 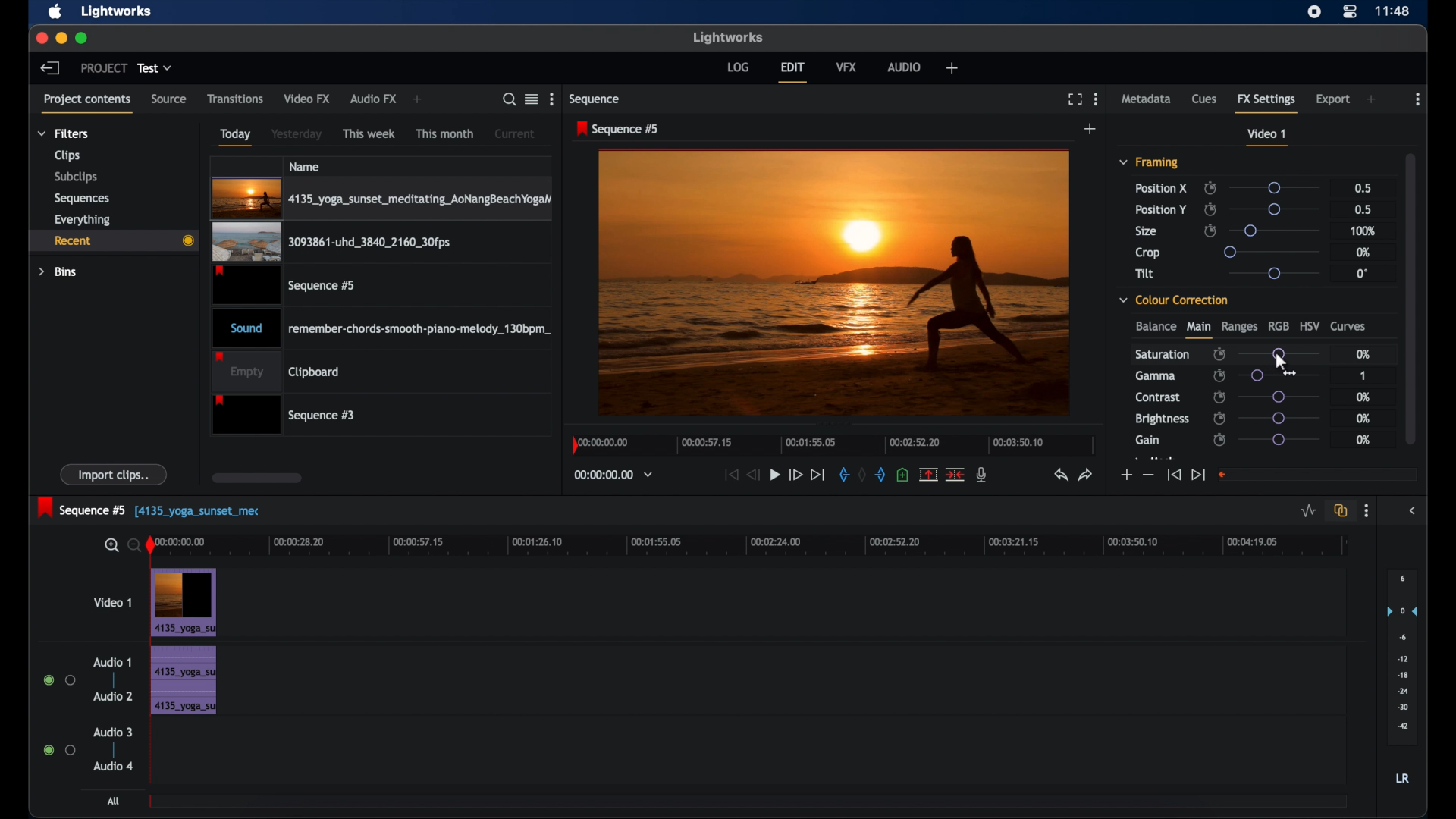 What do you see at coordinates (1338, 510) in the screenshot?
I see `toggle auto track sync` at bounding box center [1338, 510].